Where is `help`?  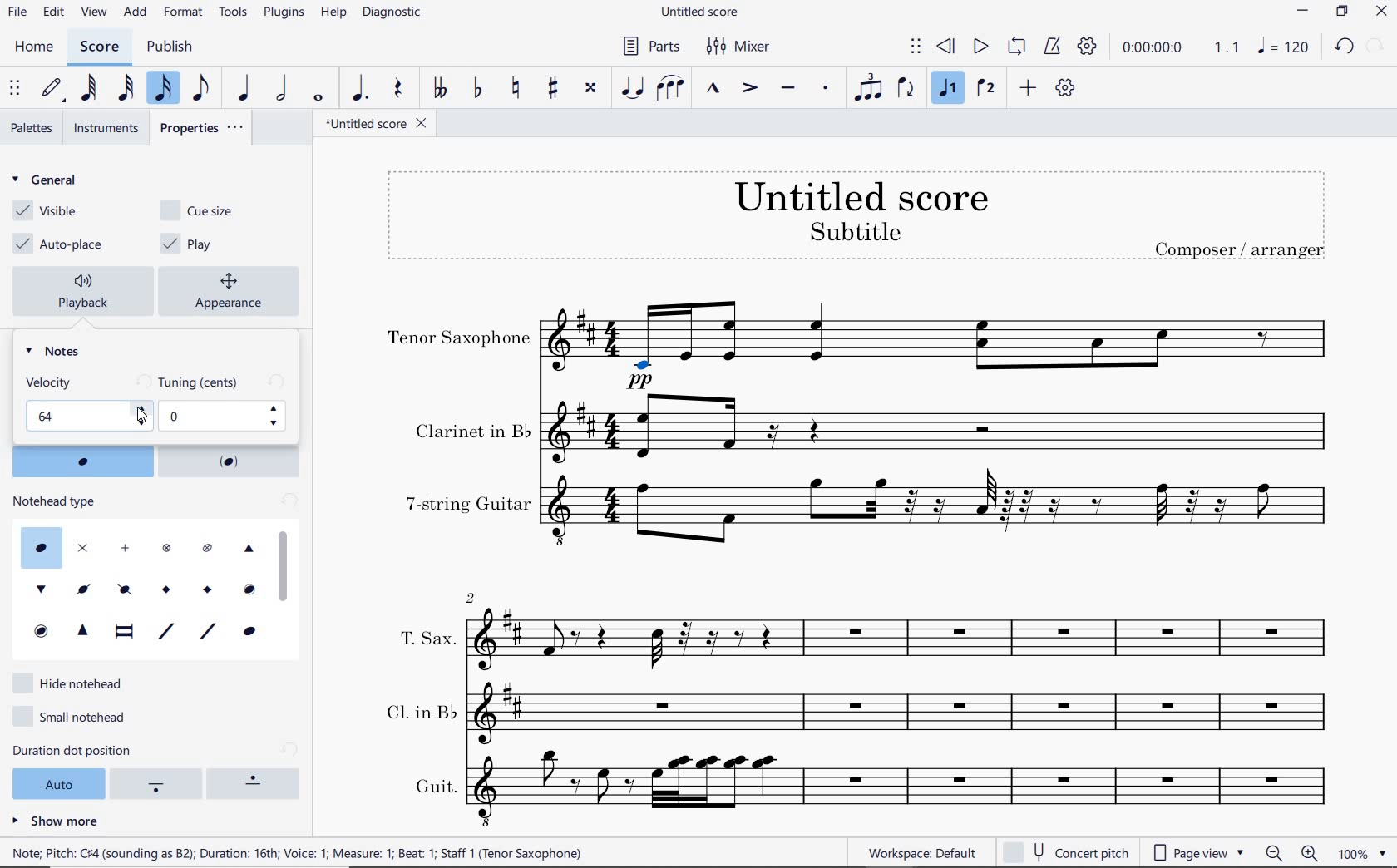 help is located at coordinates (332, 14).